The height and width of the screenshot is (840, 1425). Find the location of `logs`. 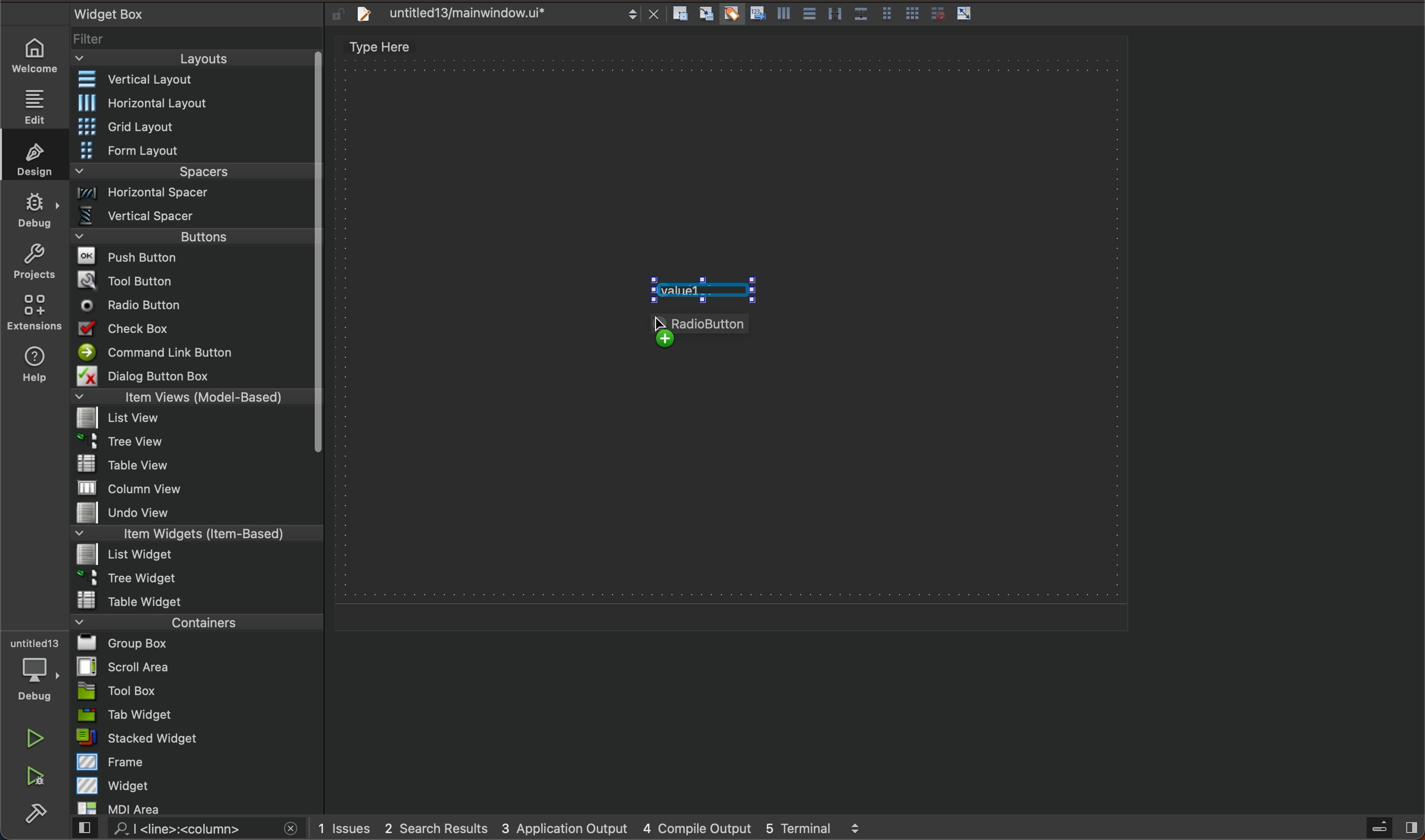

logs is located at coordinates (607, 828).